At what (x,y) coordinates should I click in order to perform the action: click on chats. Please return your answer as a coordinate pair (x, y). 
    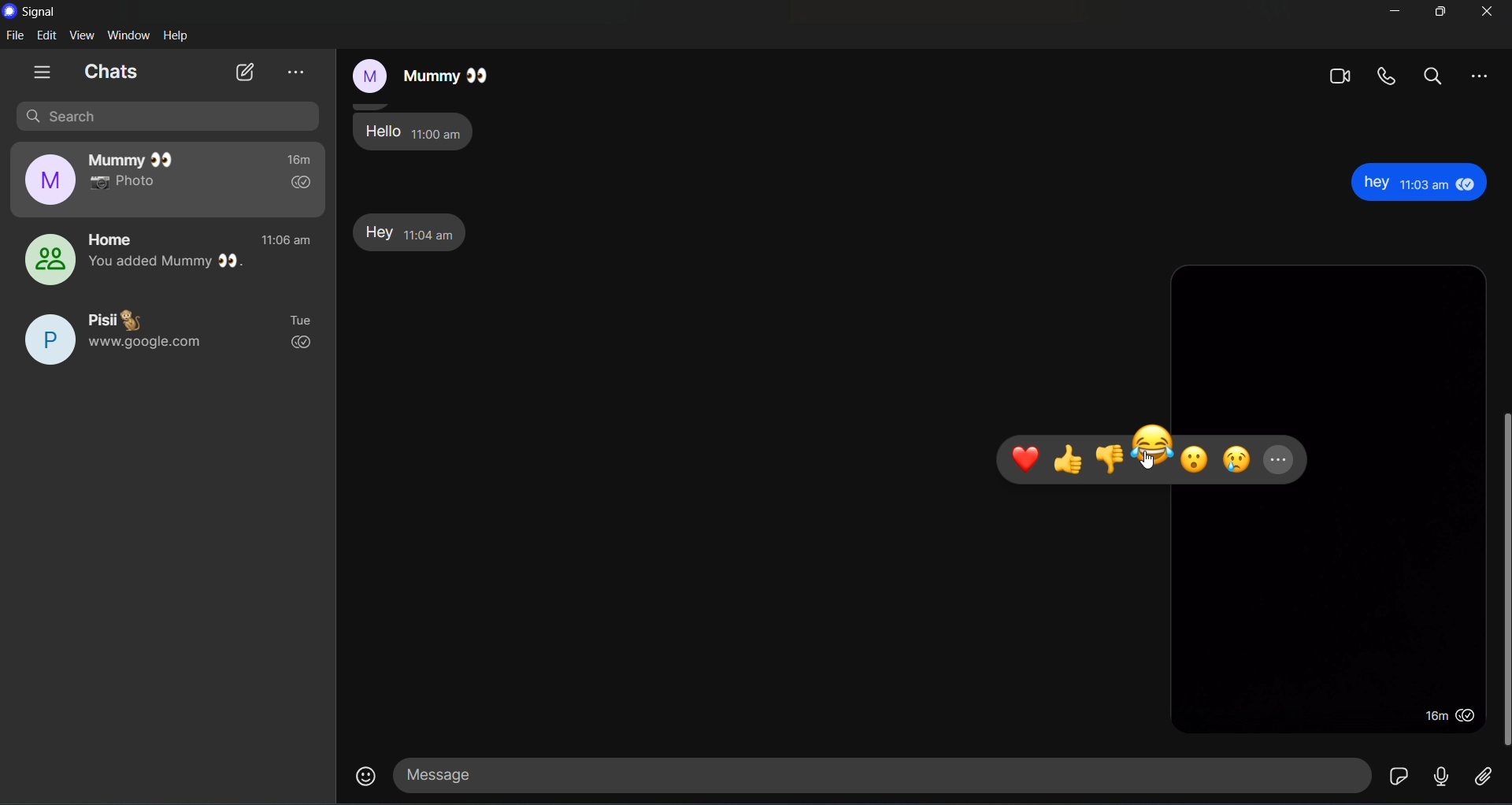
    Looking at the image, I should click on (111, 72).